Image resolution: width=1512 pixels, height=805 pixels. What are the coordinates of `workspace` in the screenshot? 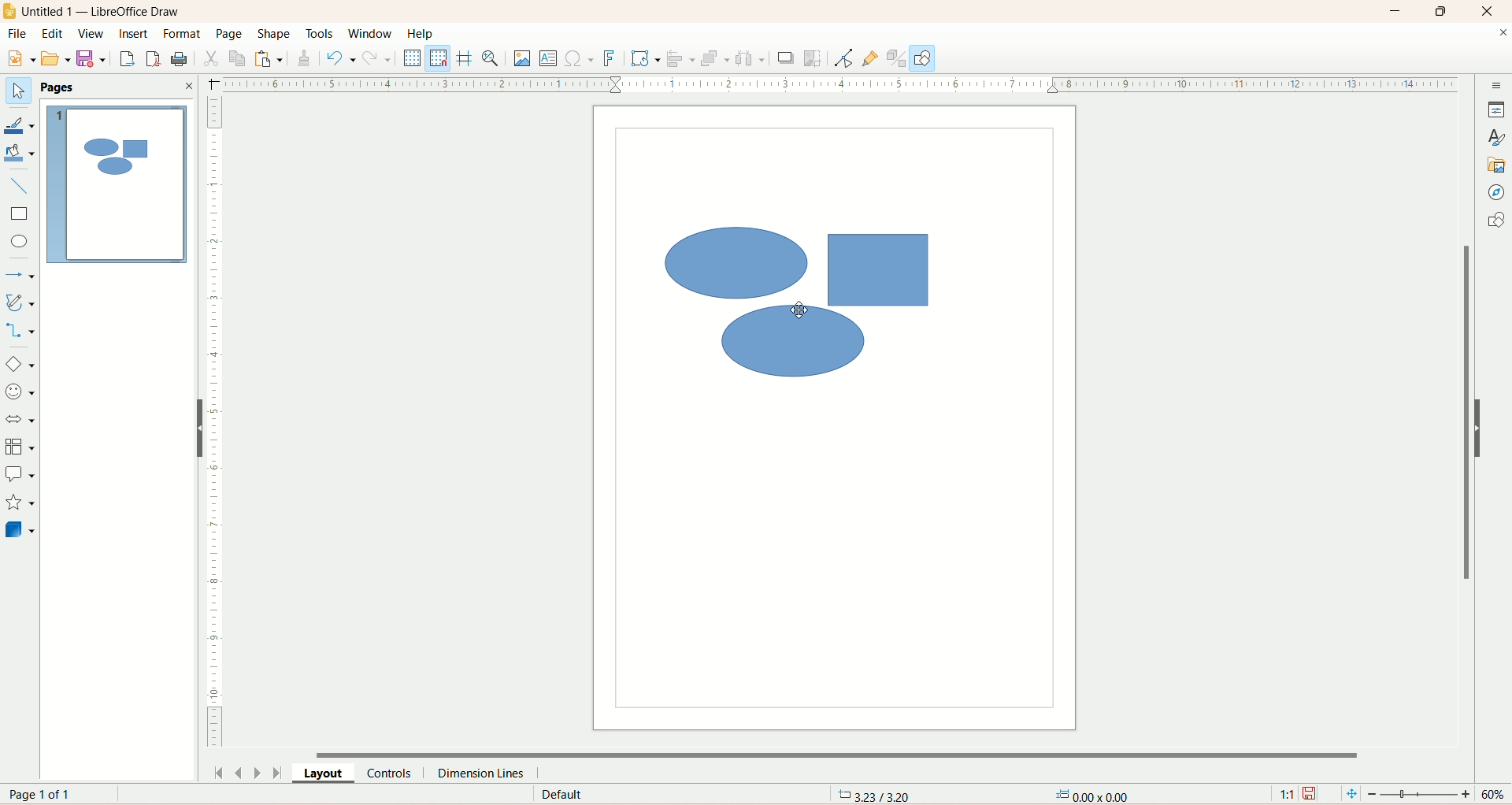 It's located at (835, 416).